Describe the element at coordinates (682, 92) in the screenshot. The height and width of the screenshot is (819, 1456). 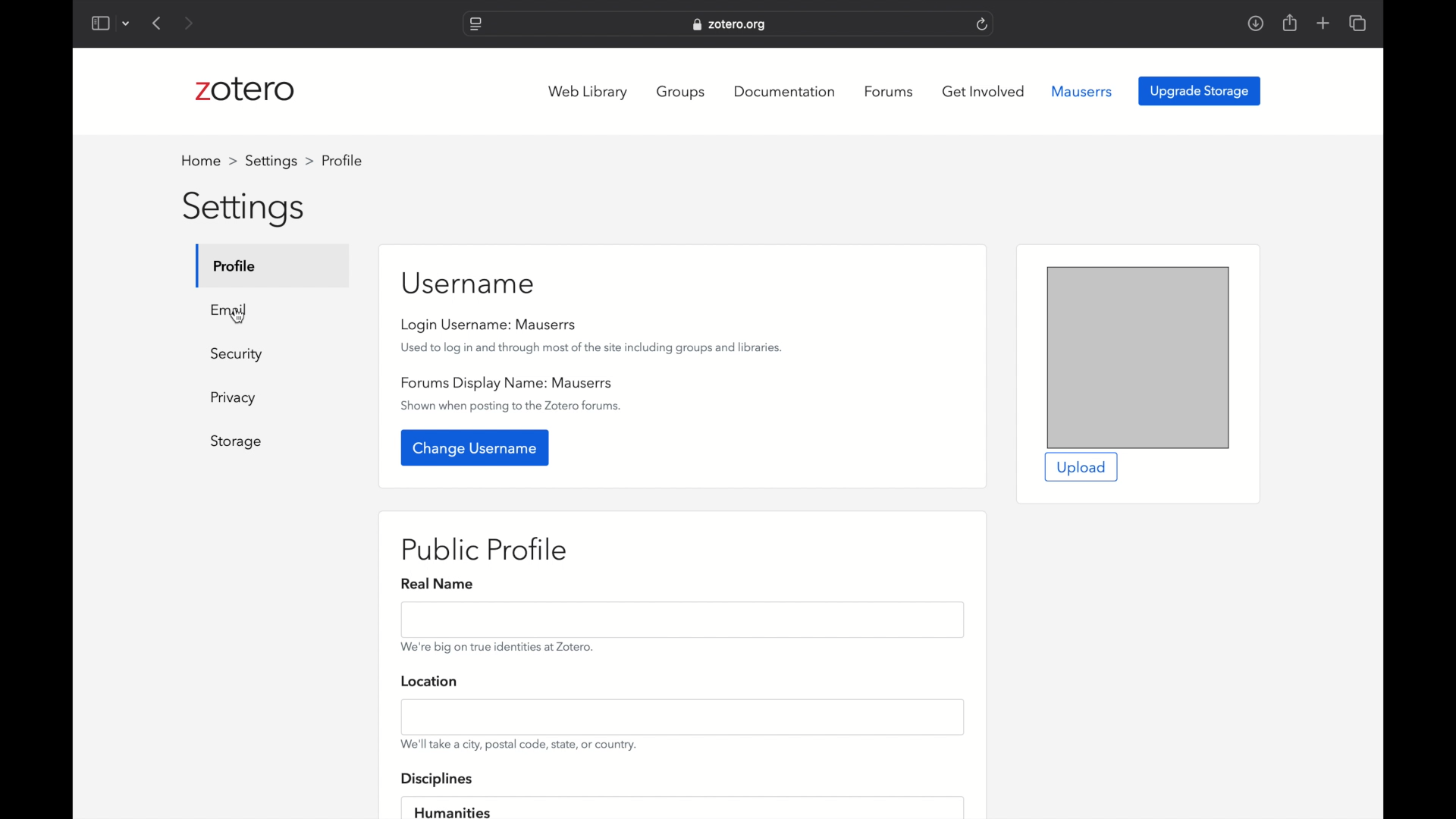
I see `group` at that location.